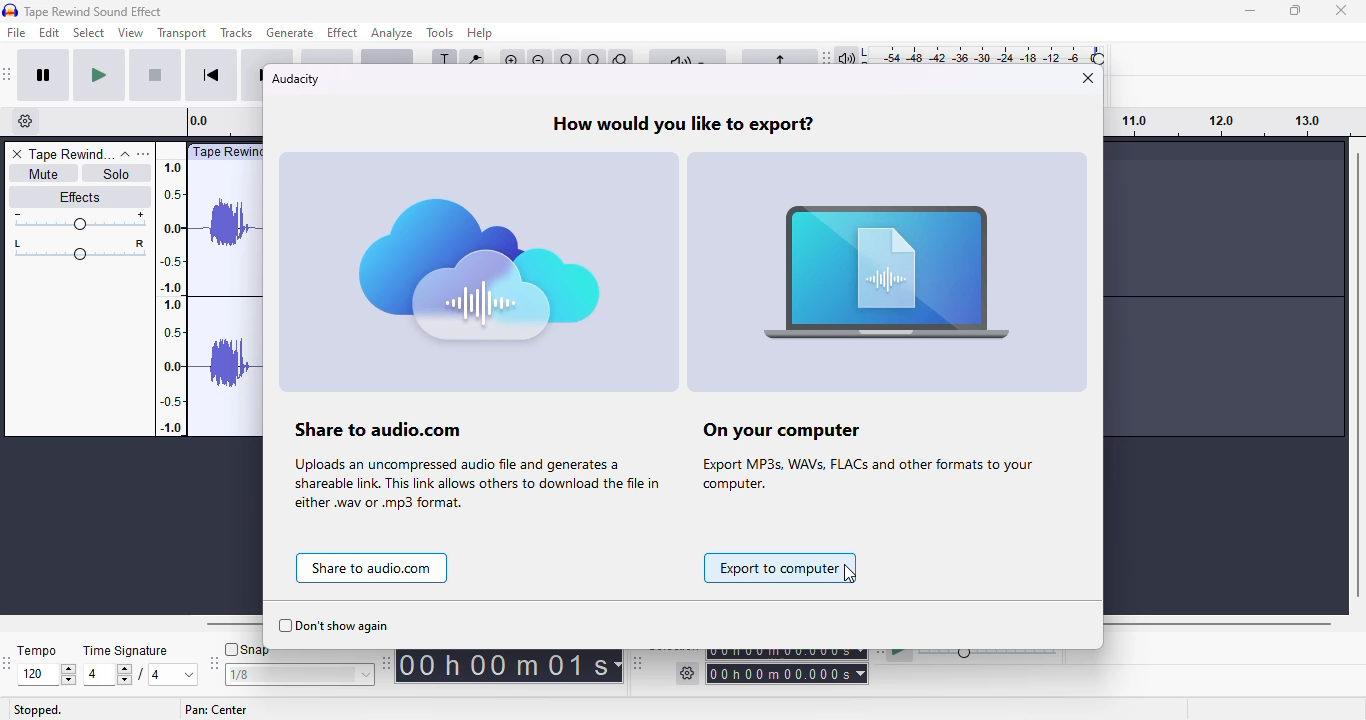 The height and width of the screenshot is (720, 1366). I want to click on audacity playback meter toolbar, so click(965, 53).